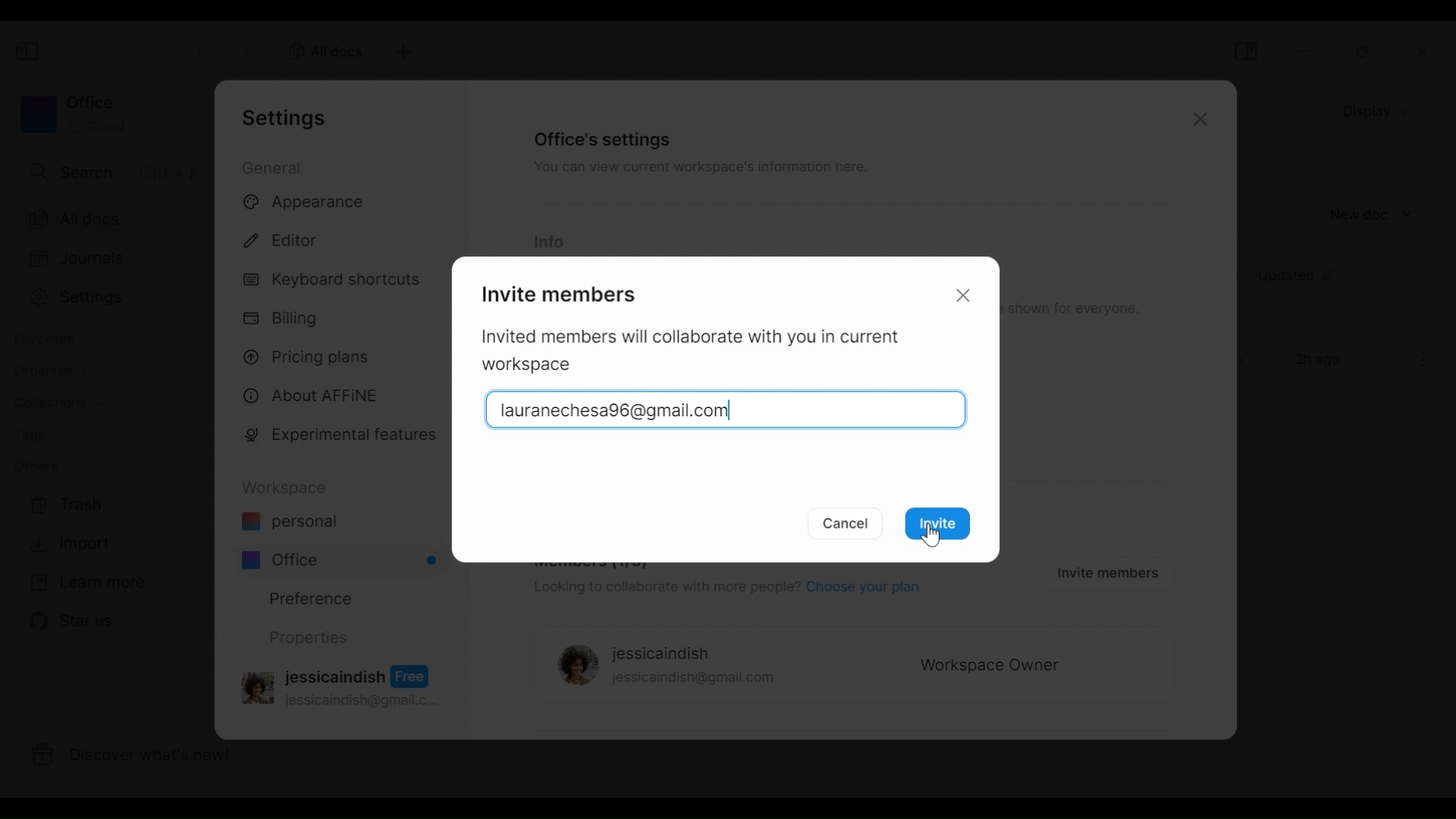 This screenshot has height=819, width=1456. Describe the element at coordinates (344, 685) in the screenshot. I see `Account` at that location.